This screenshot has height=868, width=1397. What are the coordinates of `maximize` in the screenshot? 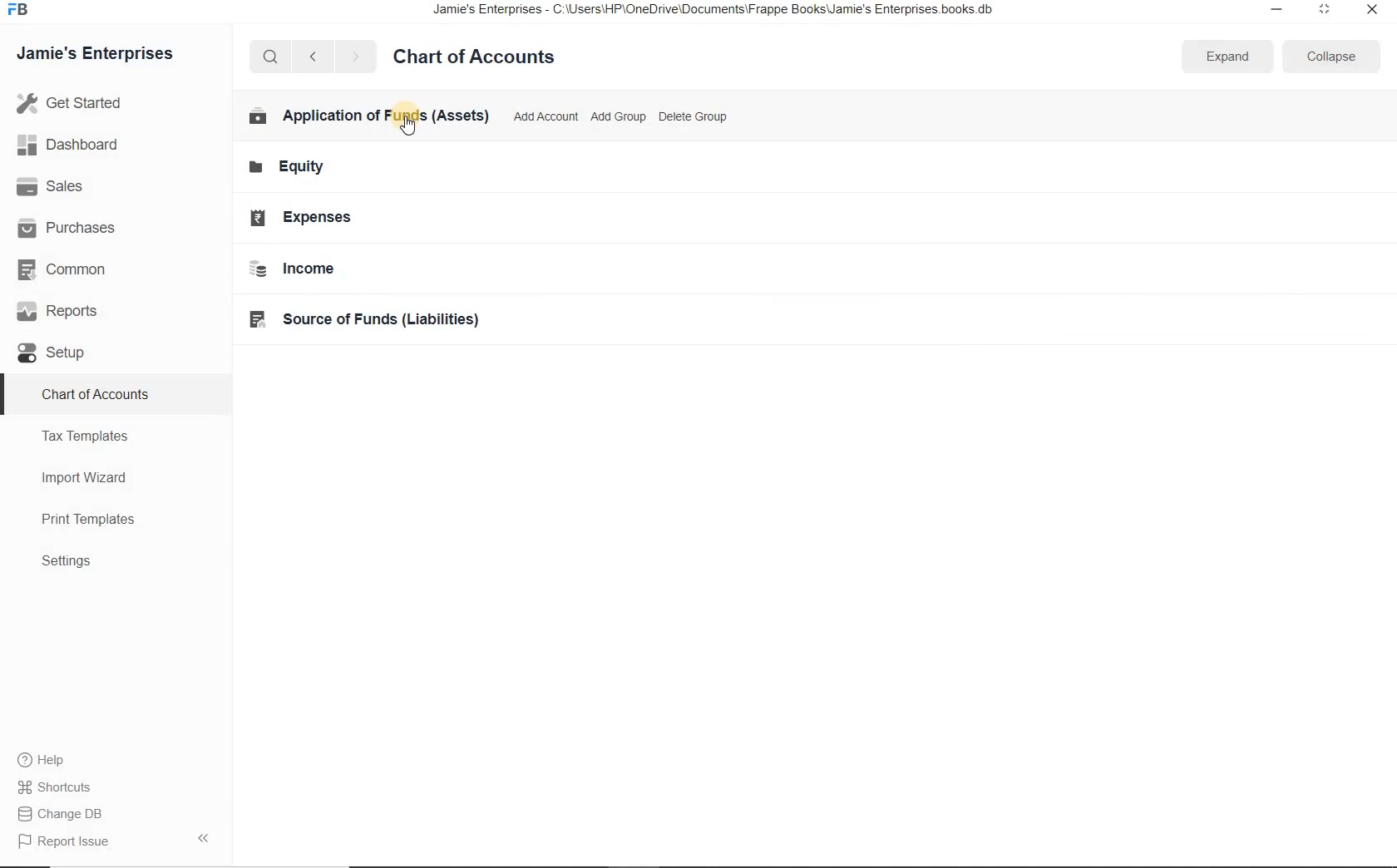 It's located at (1323, 9).